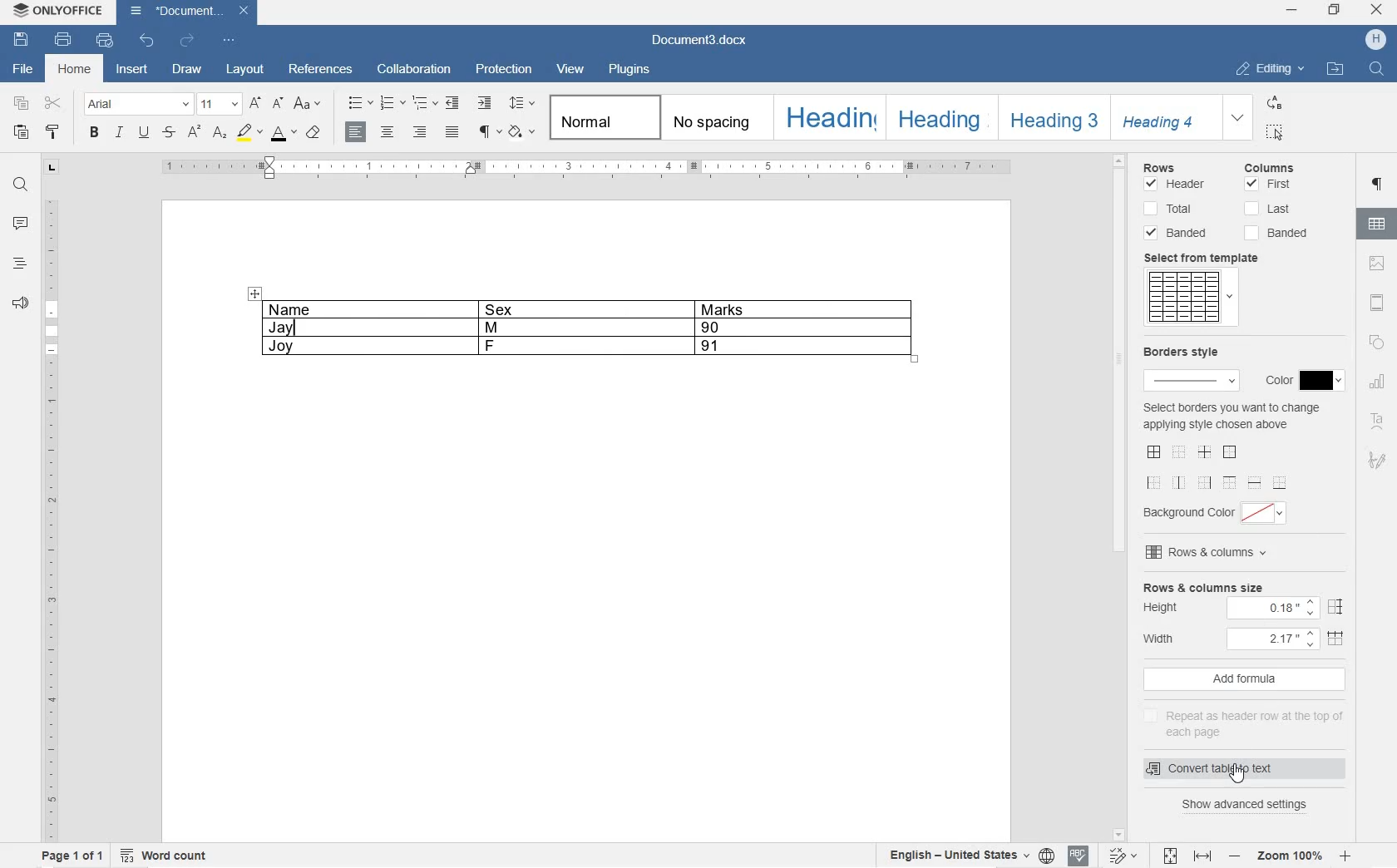  Describe the element at coordinates (392, 101) in the screenshot. I see `NUMBERING` at that location.